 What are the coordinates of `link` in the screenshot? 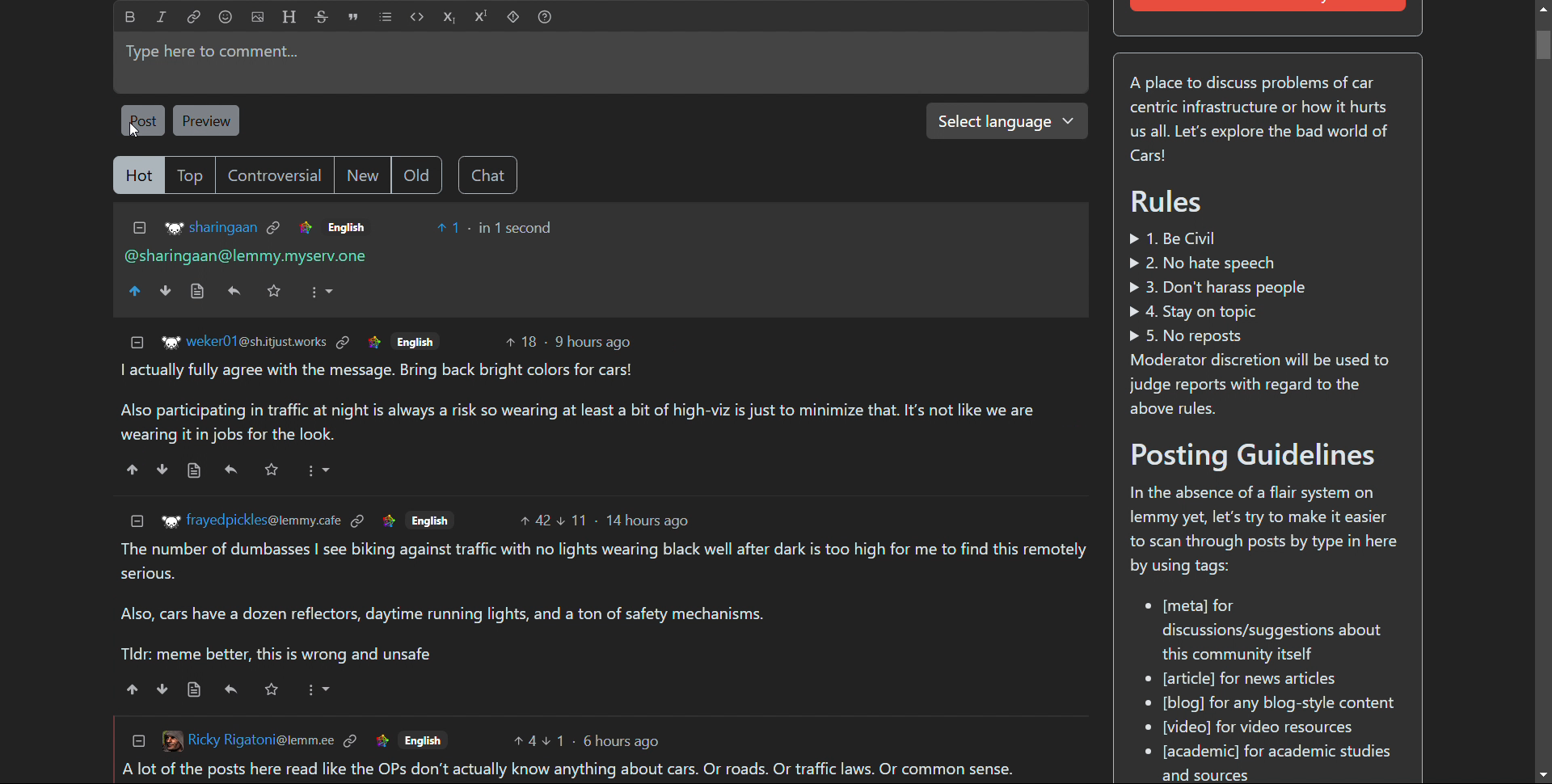 It's located at (306, 226).